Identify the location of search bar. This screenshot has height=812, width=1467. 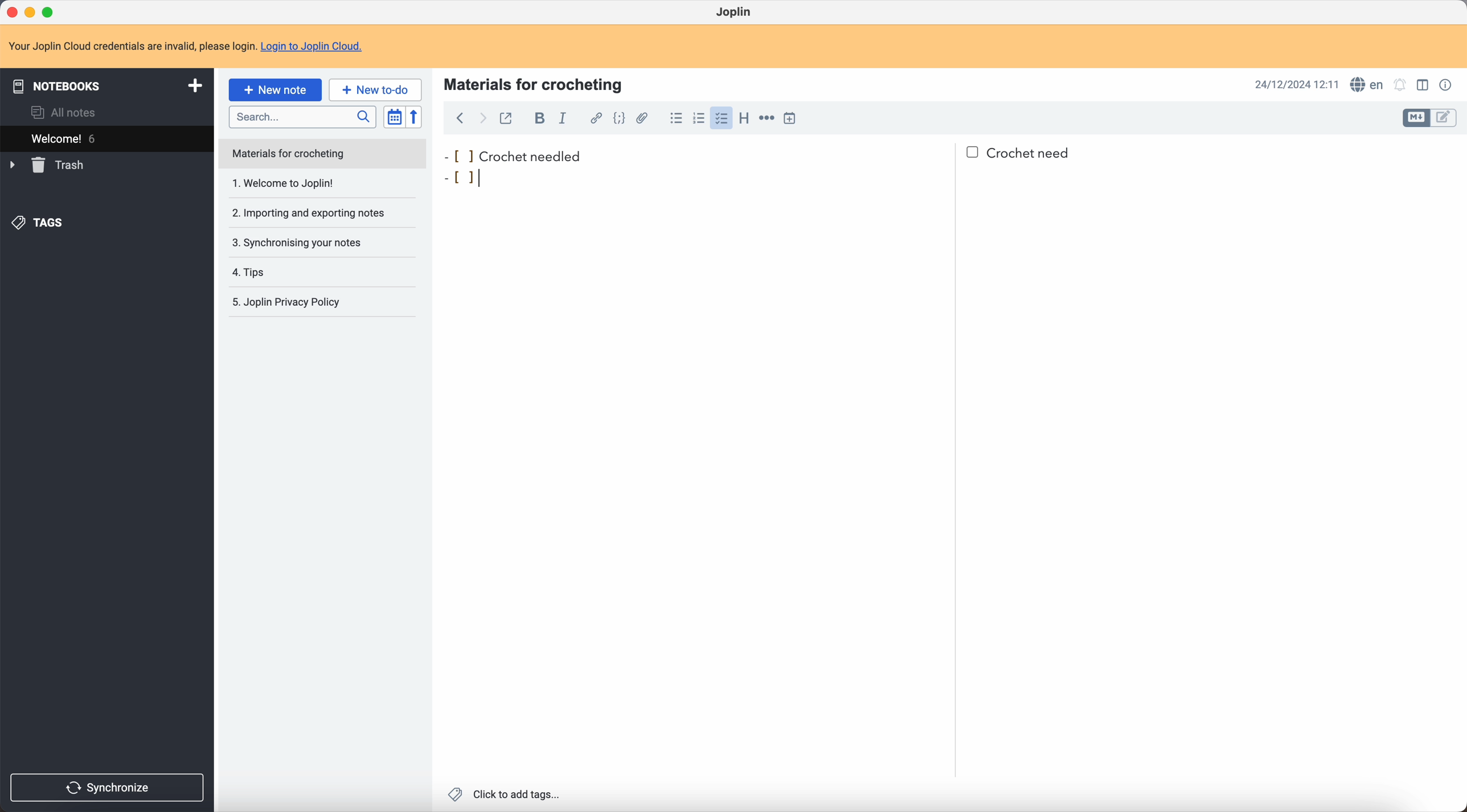
(302, 116).